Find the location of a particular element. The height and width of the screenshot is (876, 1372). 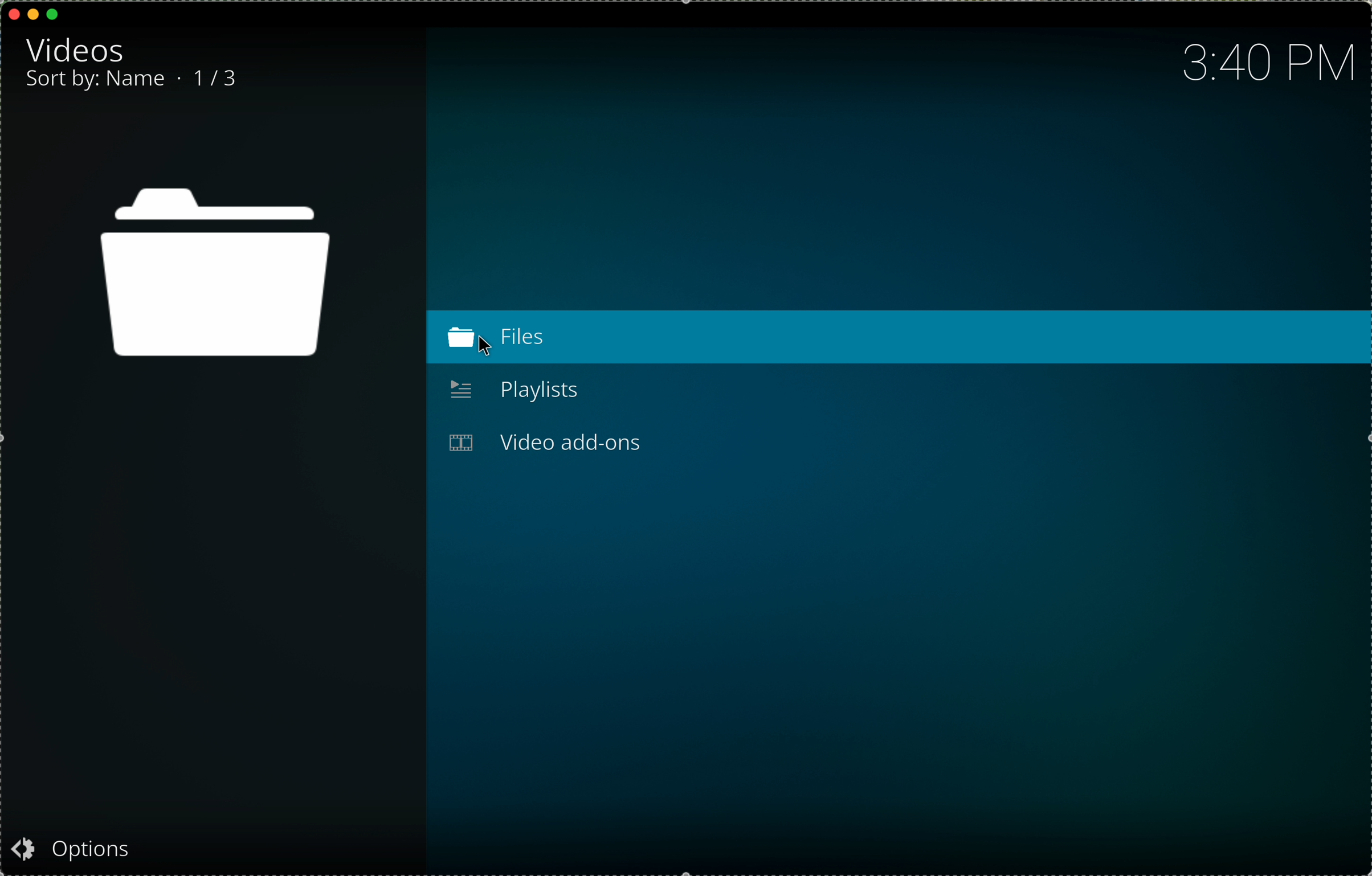

video add-ons is located at coordinates (545, 444).